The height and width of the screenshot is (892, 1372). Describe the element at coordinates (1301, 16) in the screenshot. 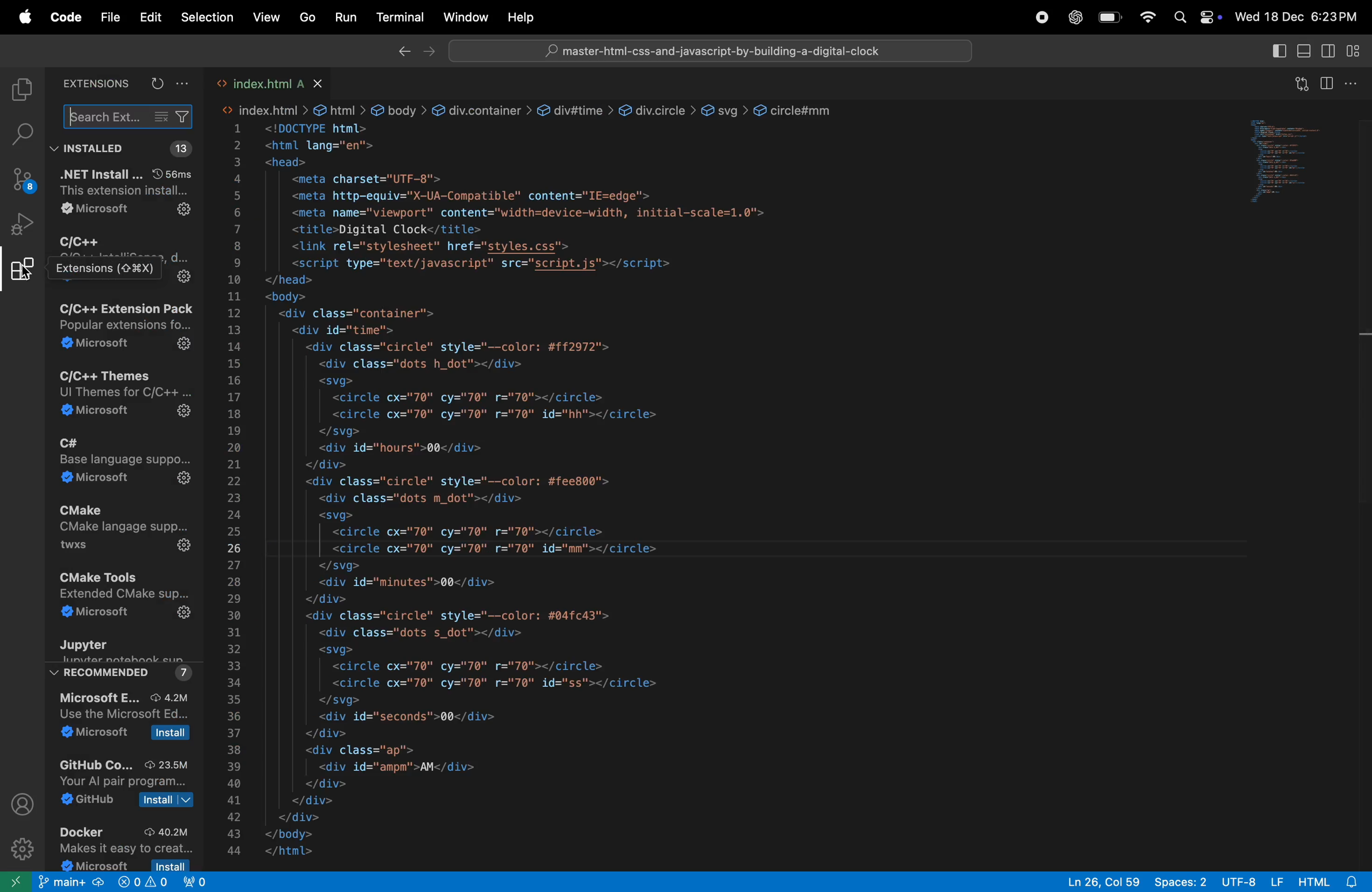

I see `date and time` at that location.